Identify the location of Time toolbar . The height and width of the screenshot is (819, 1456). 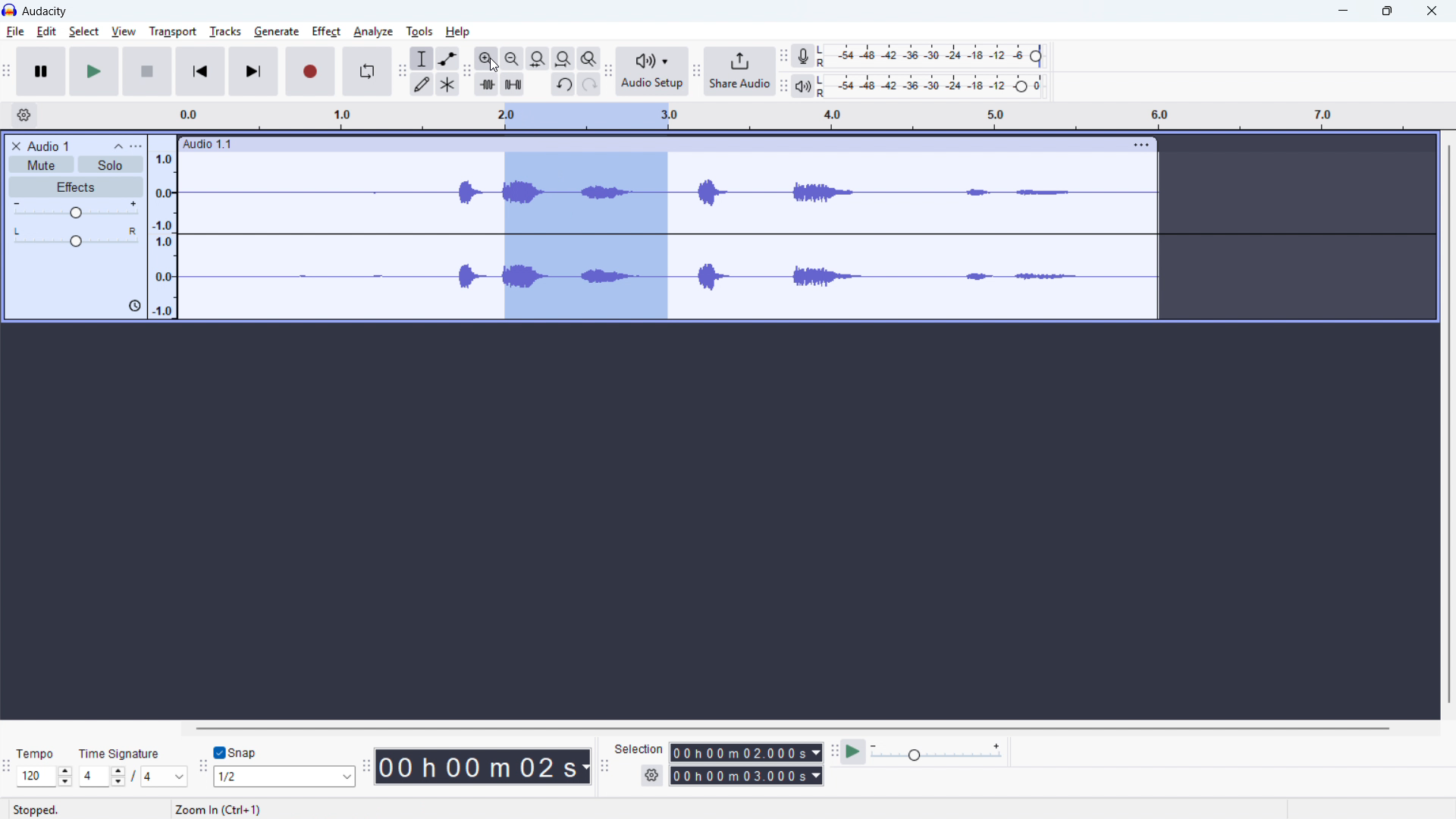
(366, 769).